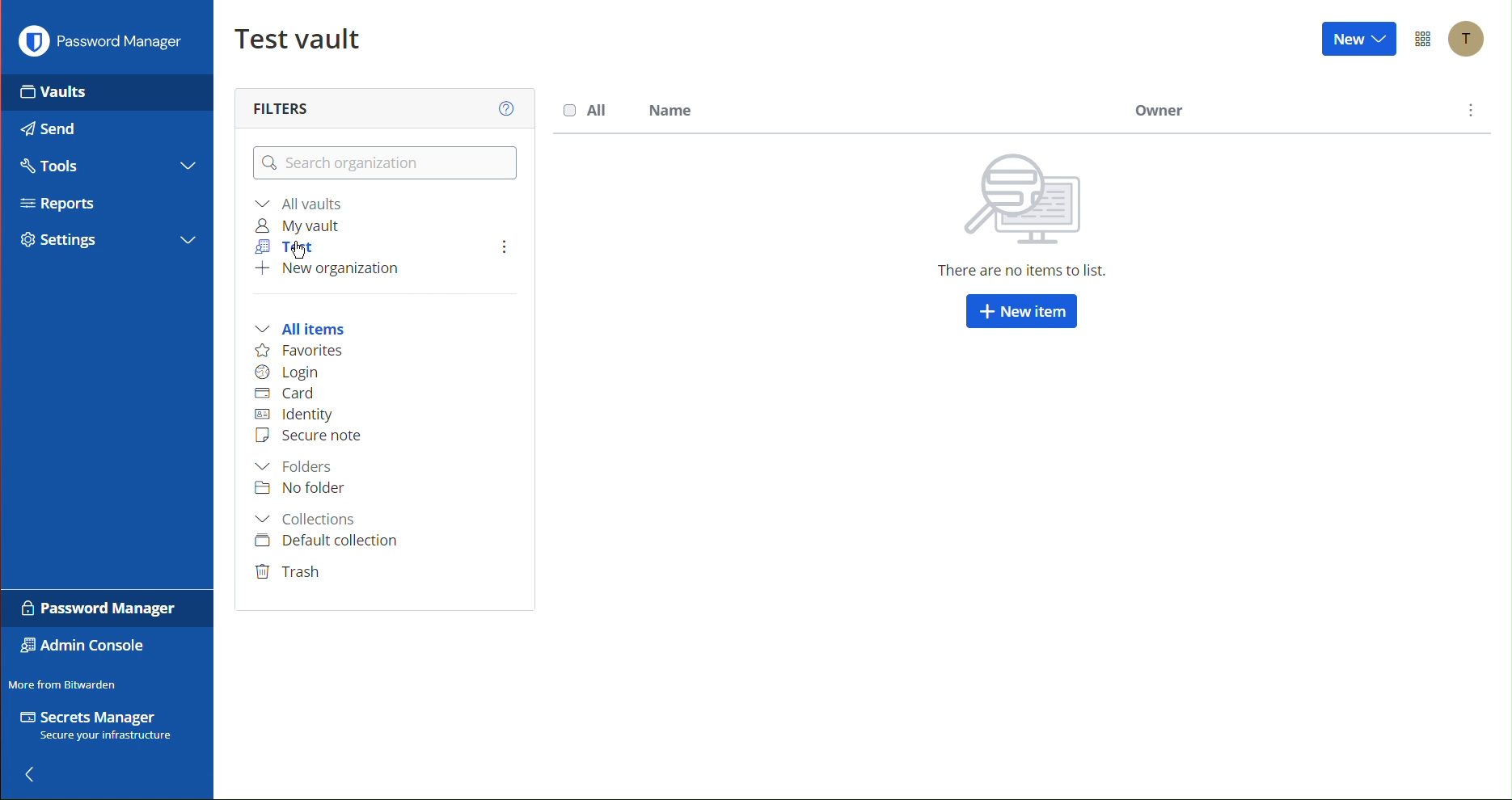 The image size is (1512, 800). I want to click on All vaults, so click(300, 204).